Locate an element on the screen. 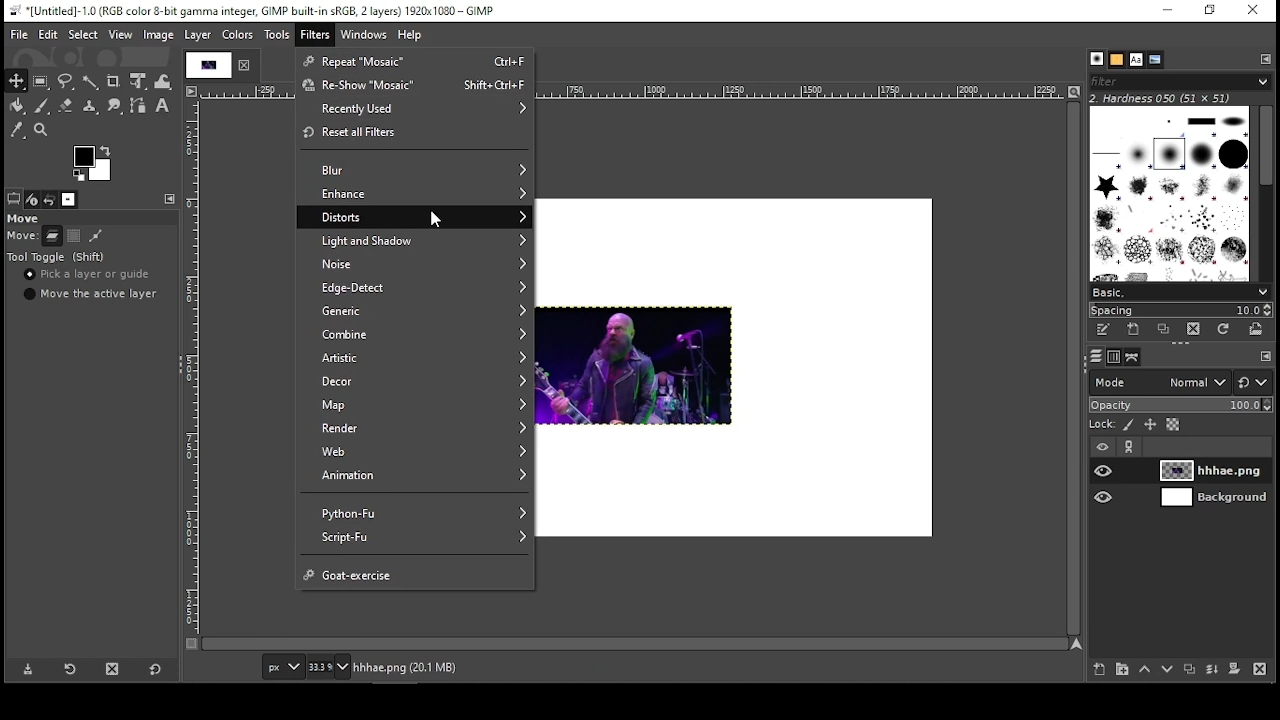 This screenshot has height=720, width=1280. select brush preset is located at coordinates (1180, 291).